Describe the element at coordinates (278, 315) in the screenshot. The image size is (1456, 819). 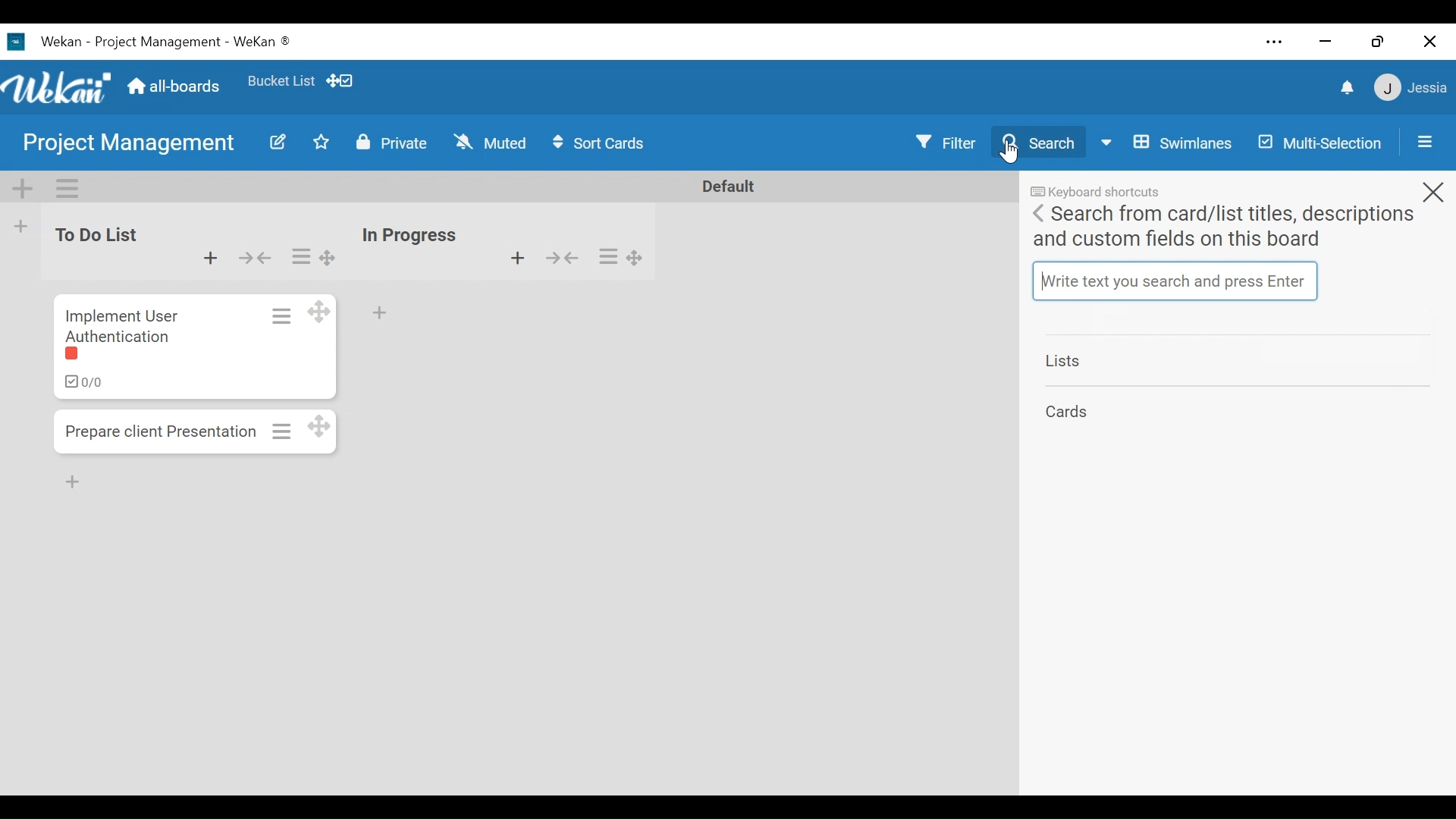
I see `Card actions` at that location.